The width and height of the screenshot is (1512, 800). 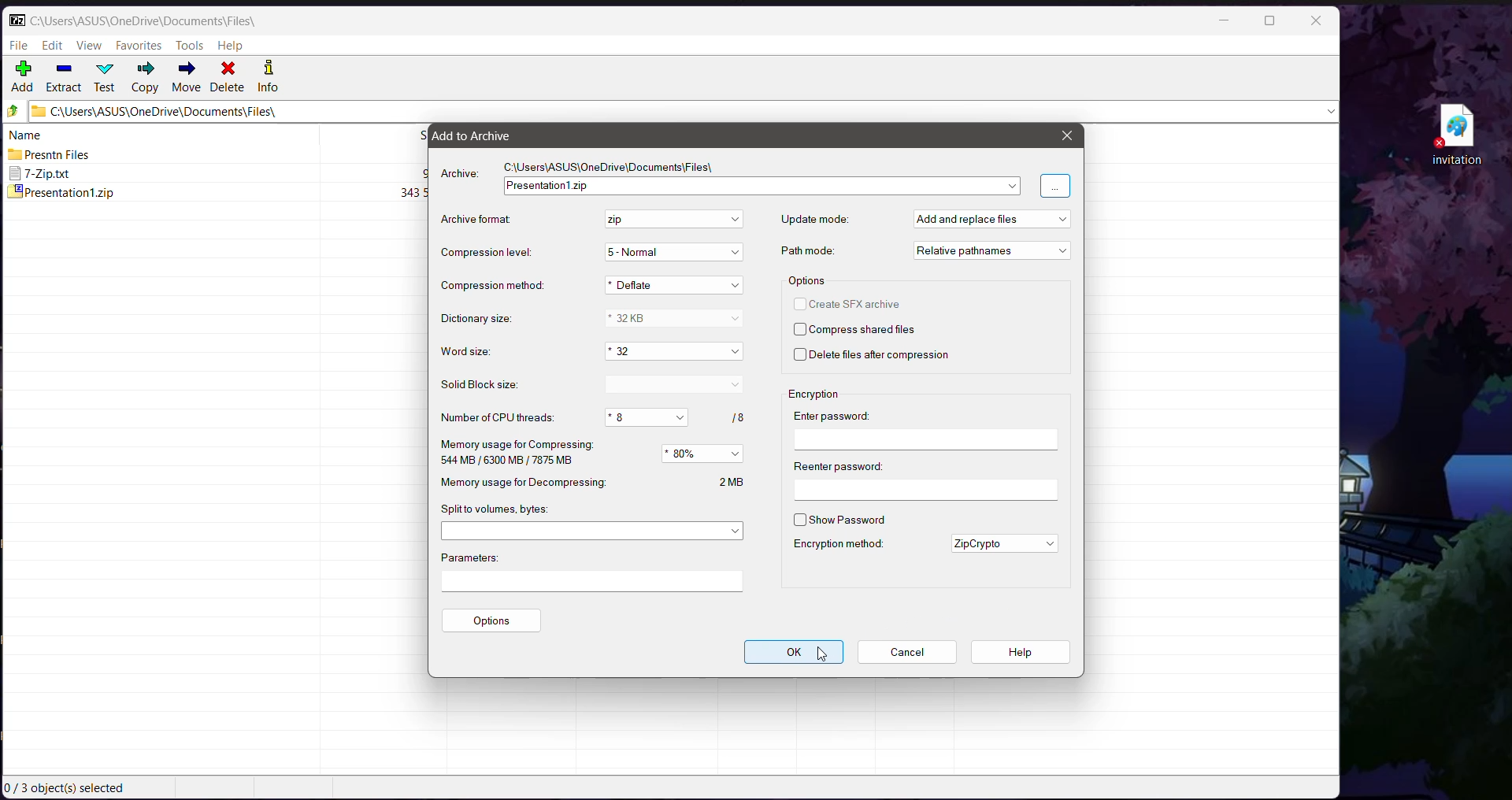 I want to click on Current Folder Path, so click(x=682, y=113).